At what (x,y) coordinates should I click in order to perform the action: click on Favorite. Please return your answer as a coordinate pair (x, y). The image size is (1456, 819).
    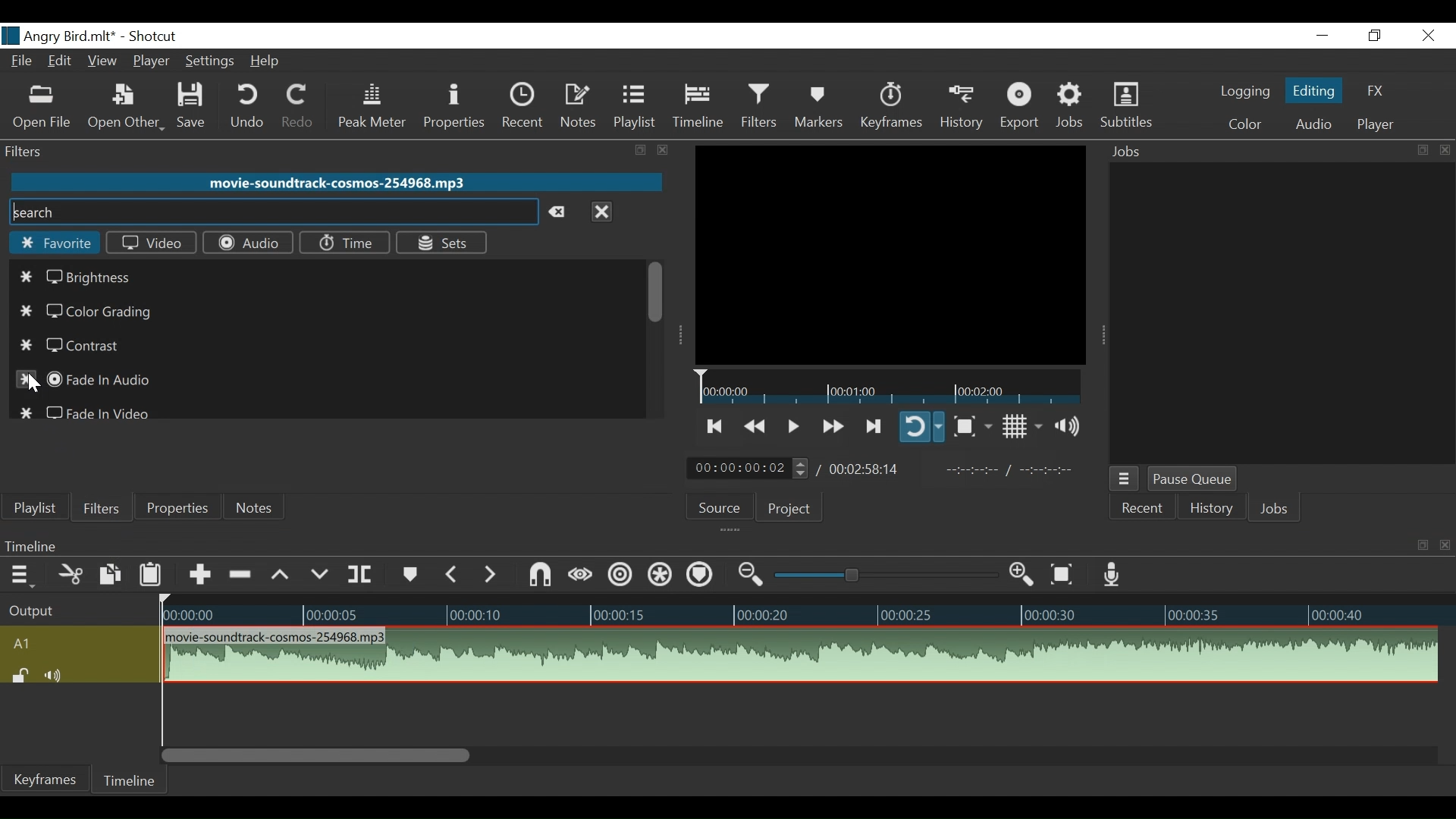
    Looking at the image, I should click on (53, 245).